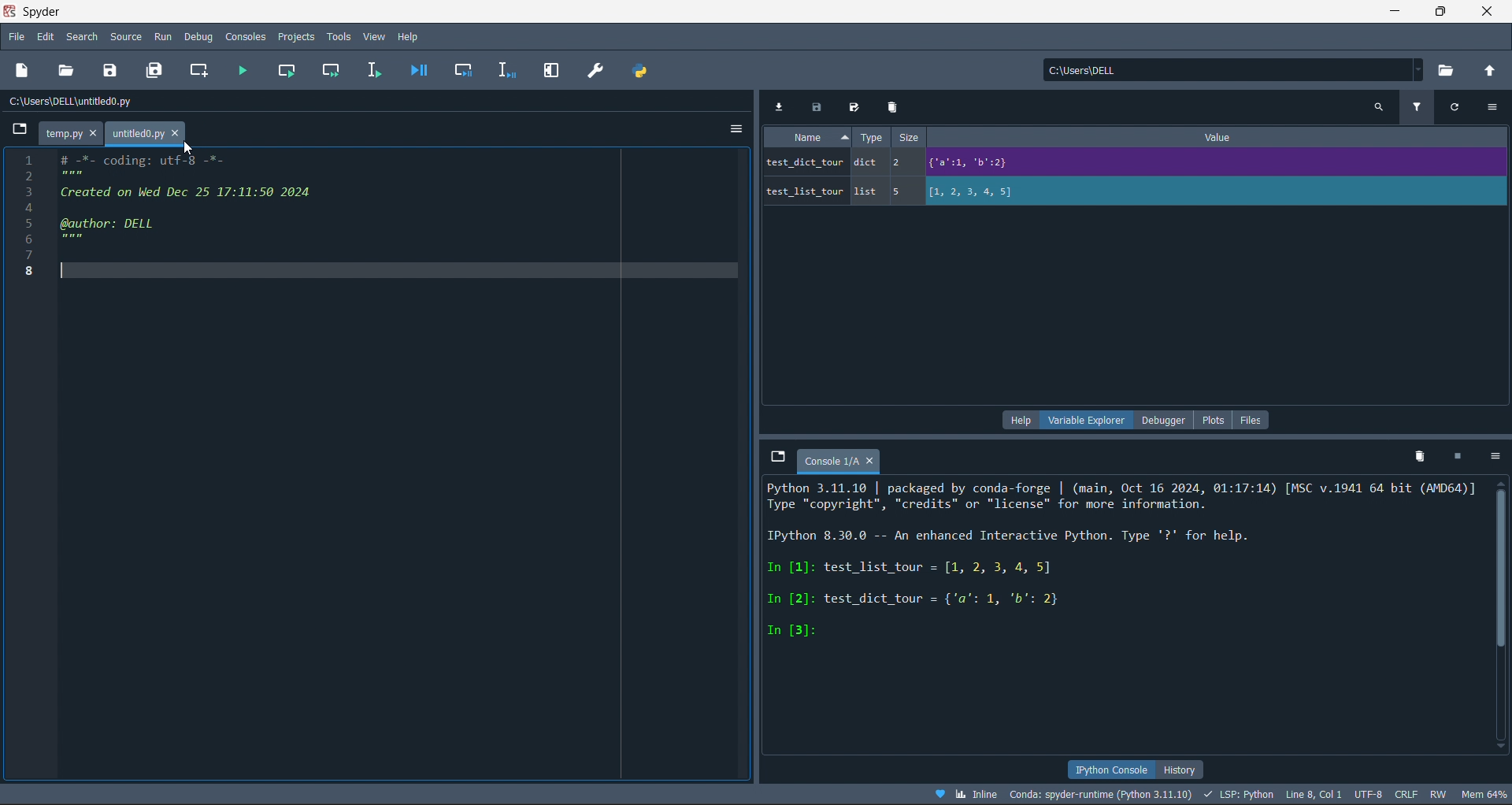 The height and width of the screenshot is (805, 1512). Describe the element at coordinates (199, 37) in the screenshot. I see `debug` at that location.